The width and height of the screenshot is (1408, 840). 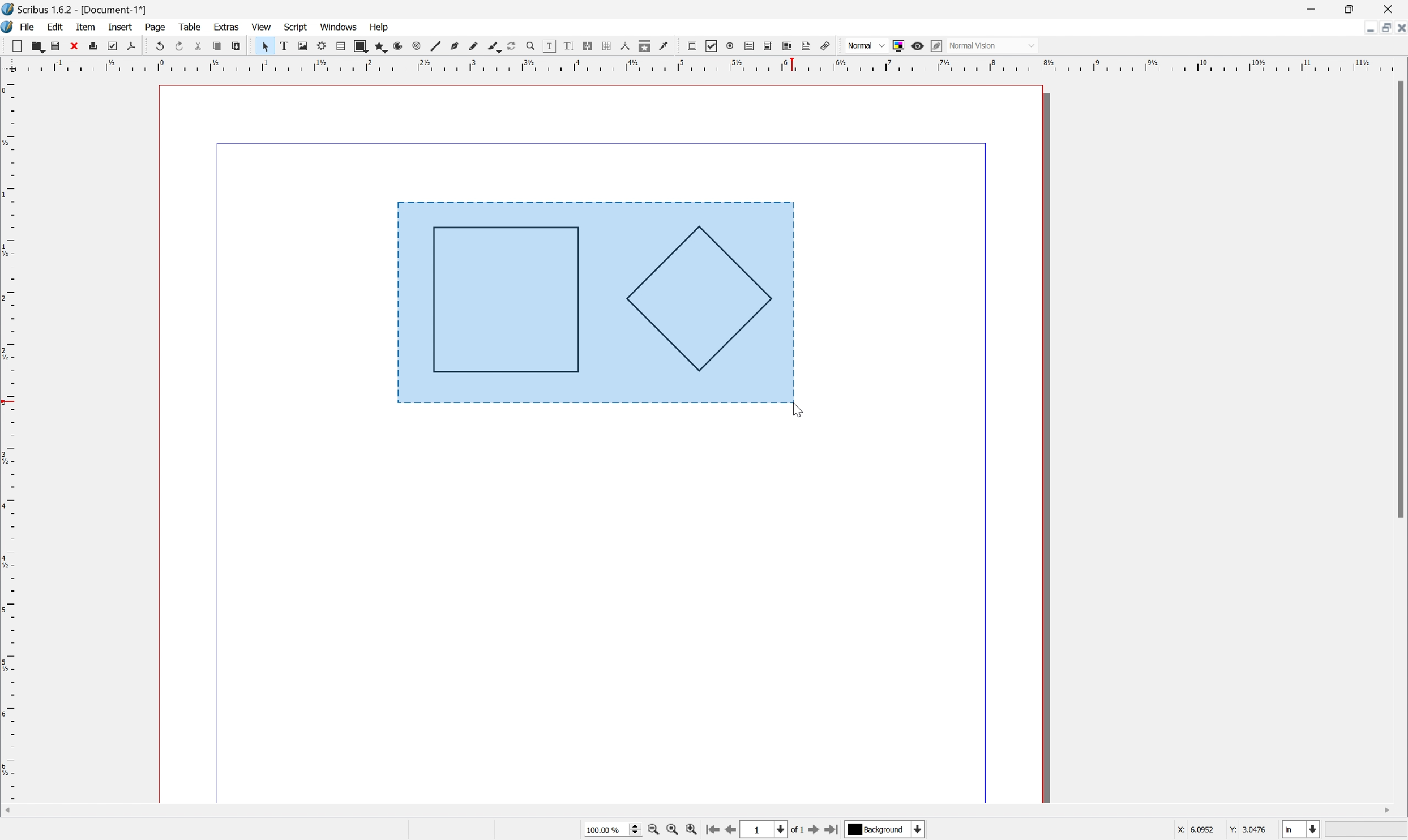 What do you see at coordinates (471, 46) in the screenshot?
I see `freehand line` at bounding box center [471, 46].